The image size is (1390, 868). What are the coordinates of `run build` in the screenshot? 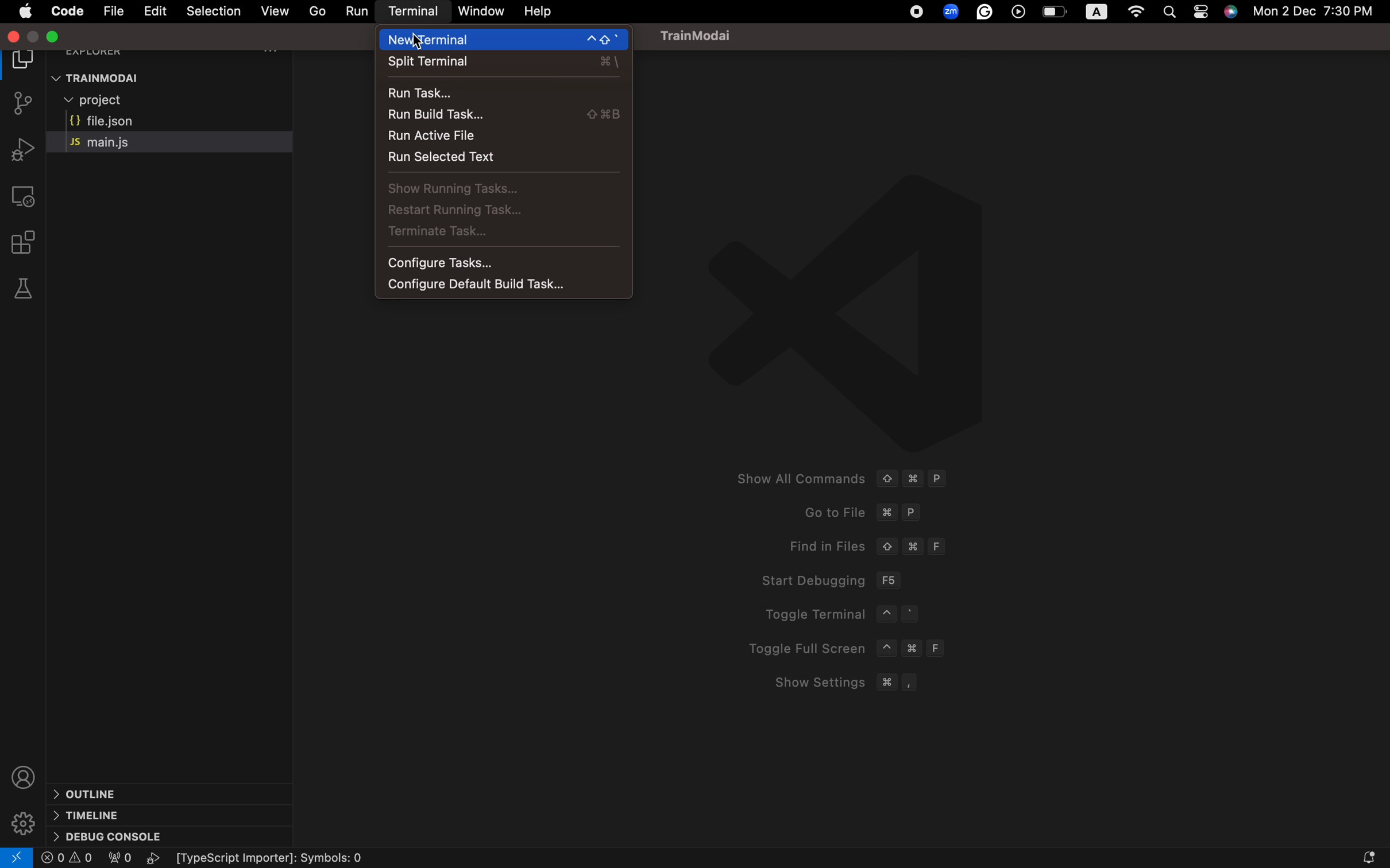 It's located at (500, 117).